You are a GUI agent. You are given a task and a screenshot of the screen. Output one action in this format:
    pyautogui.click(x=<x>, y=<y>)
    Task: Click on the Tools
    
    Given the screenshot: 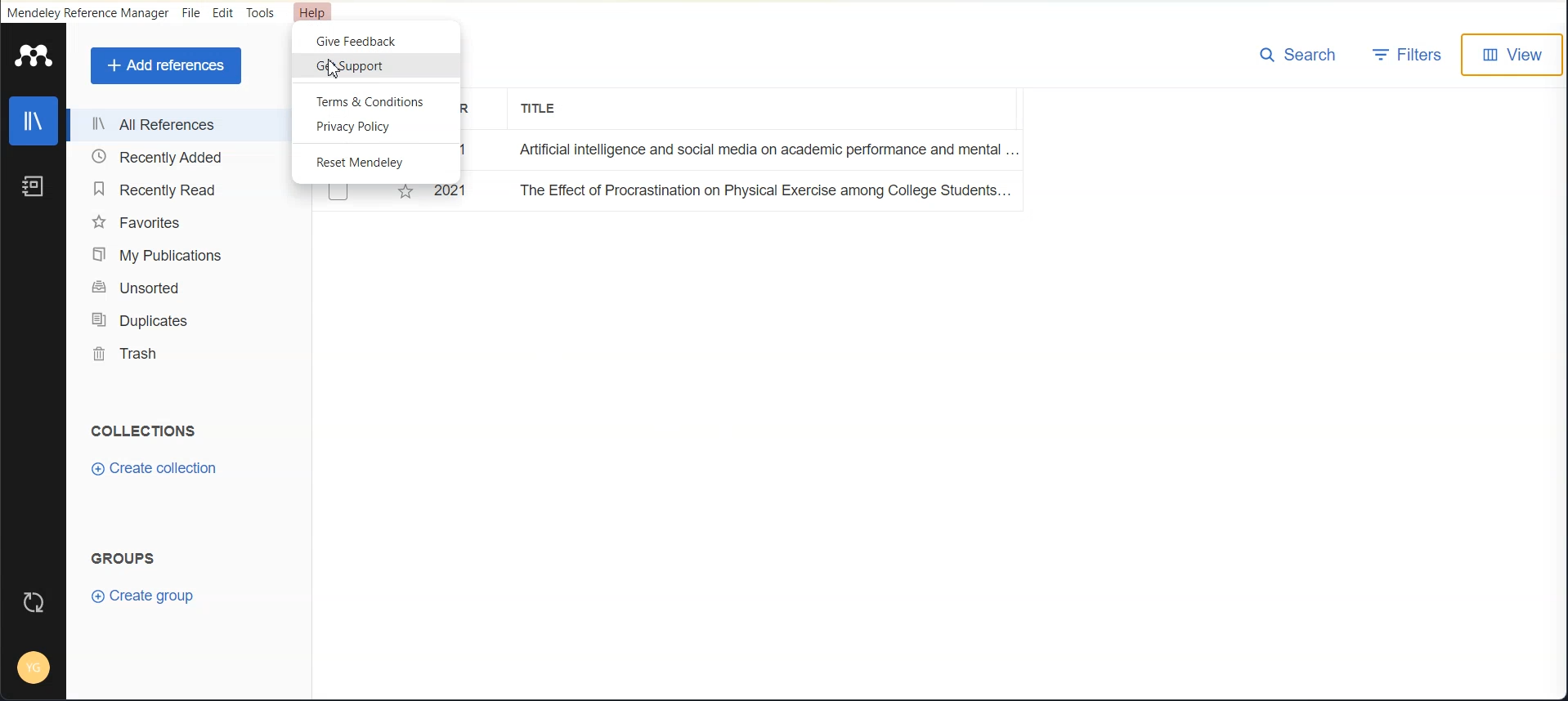 What is the action you would take?
    pyautogui.click(x=261, y=13)
    